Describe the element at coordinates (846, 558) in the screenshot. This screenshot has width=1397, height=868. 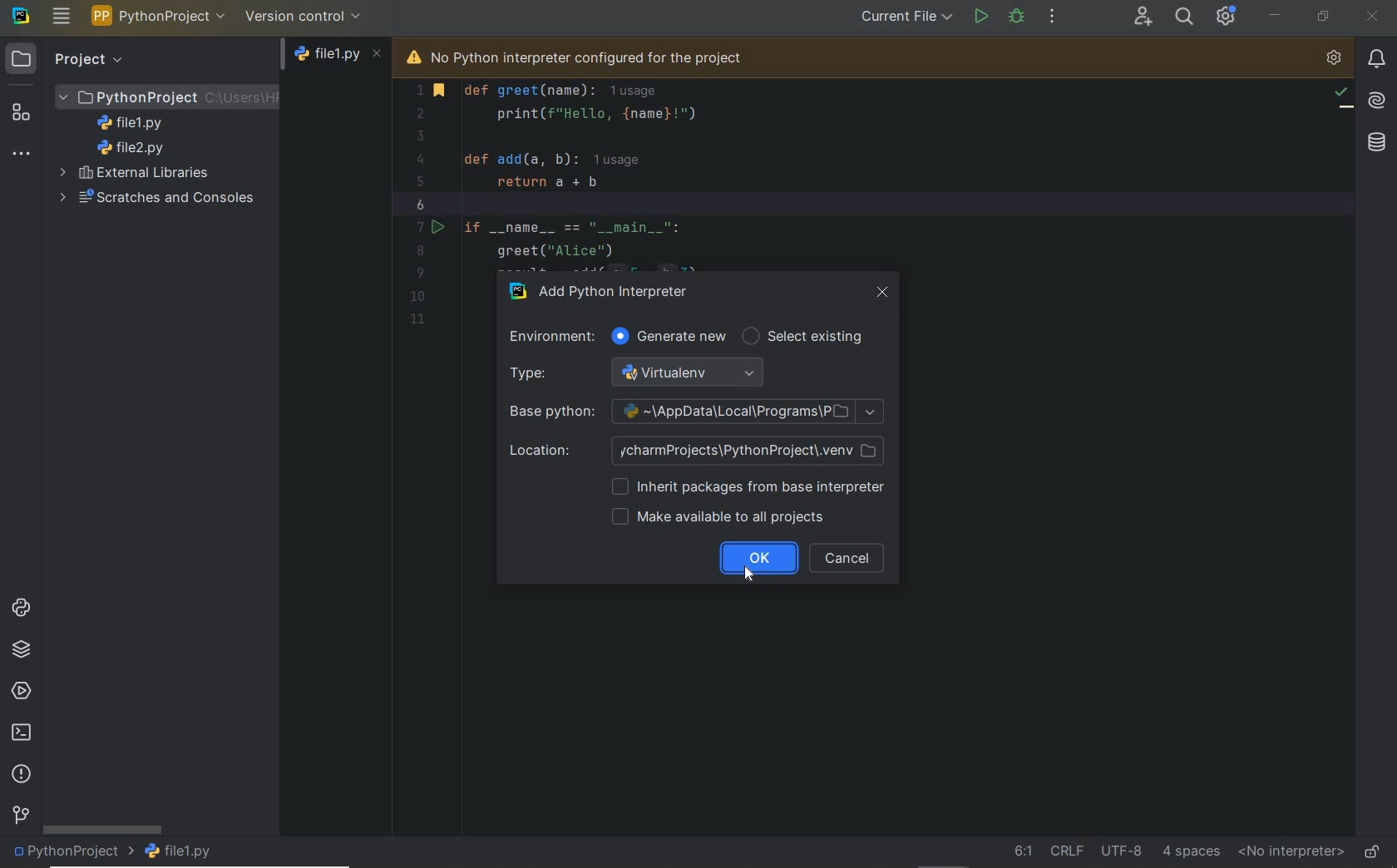
I see `cancel` at that location.